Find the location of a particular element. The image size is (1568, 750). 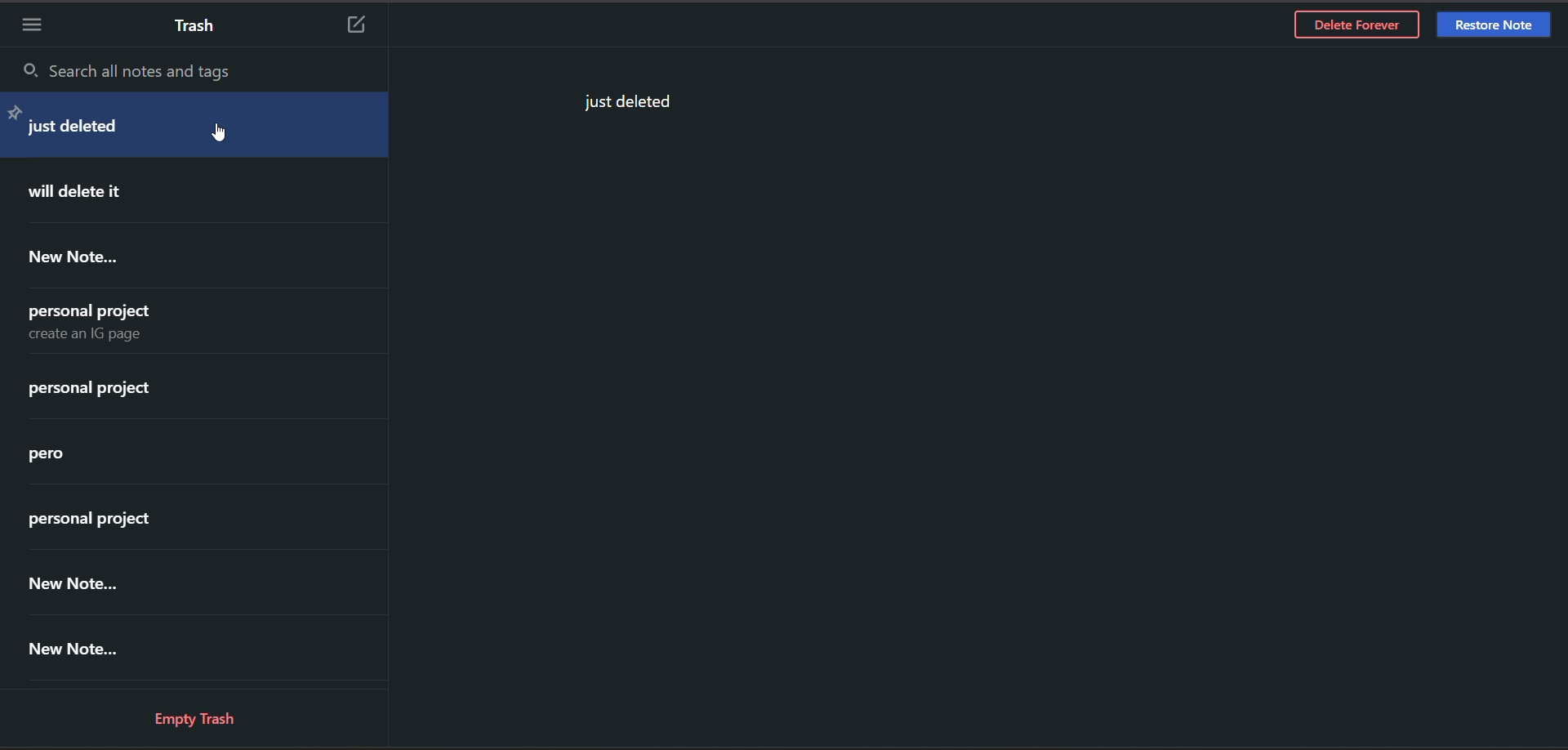

trash is located at coordinates (202, 29).